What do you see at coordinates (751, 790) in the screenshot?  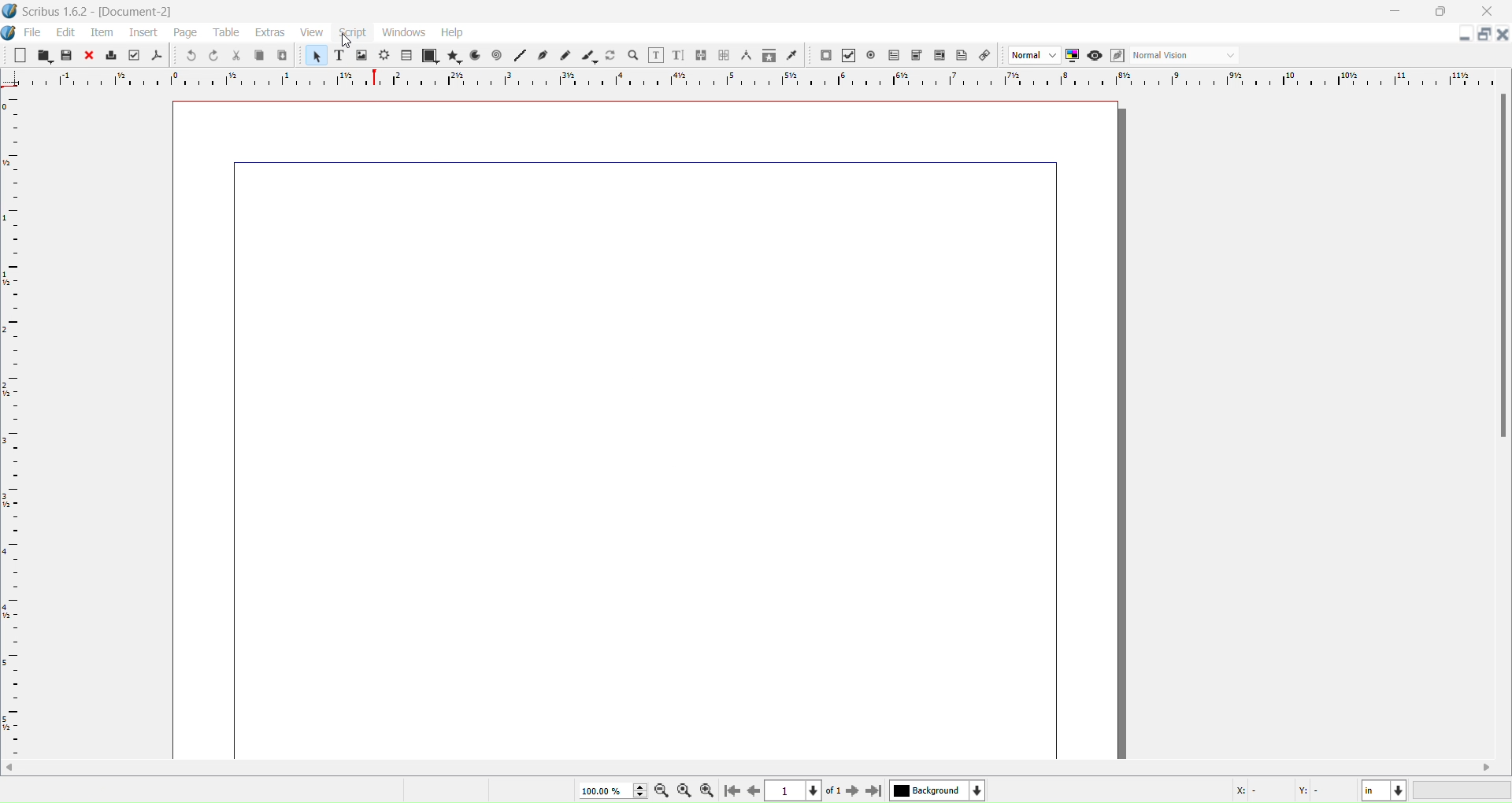 I see `Go to the previous page` at bounding box center [751, 790].